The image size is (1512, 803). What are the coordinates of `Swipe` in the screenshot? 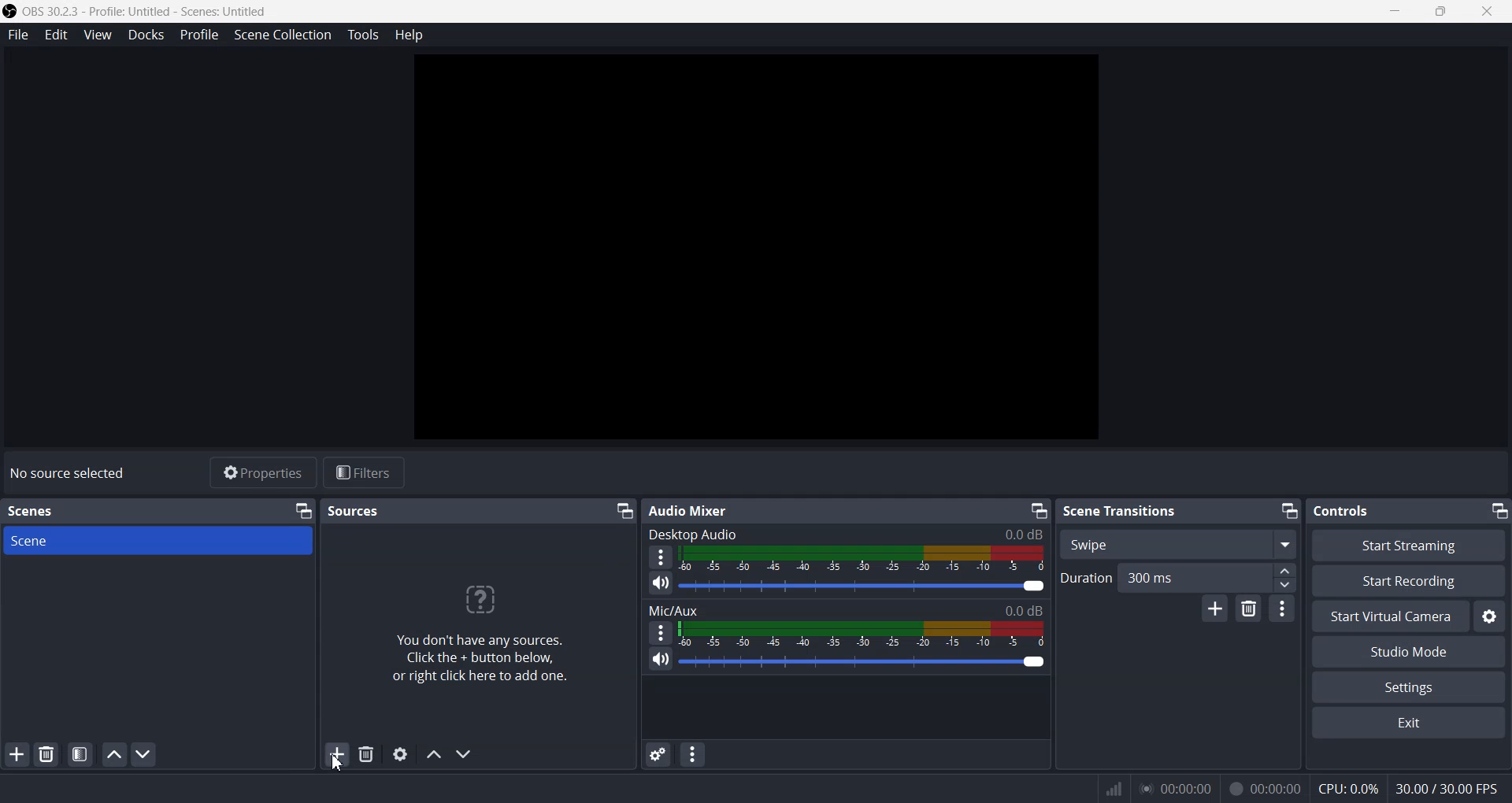 It's located at (1177, 544).